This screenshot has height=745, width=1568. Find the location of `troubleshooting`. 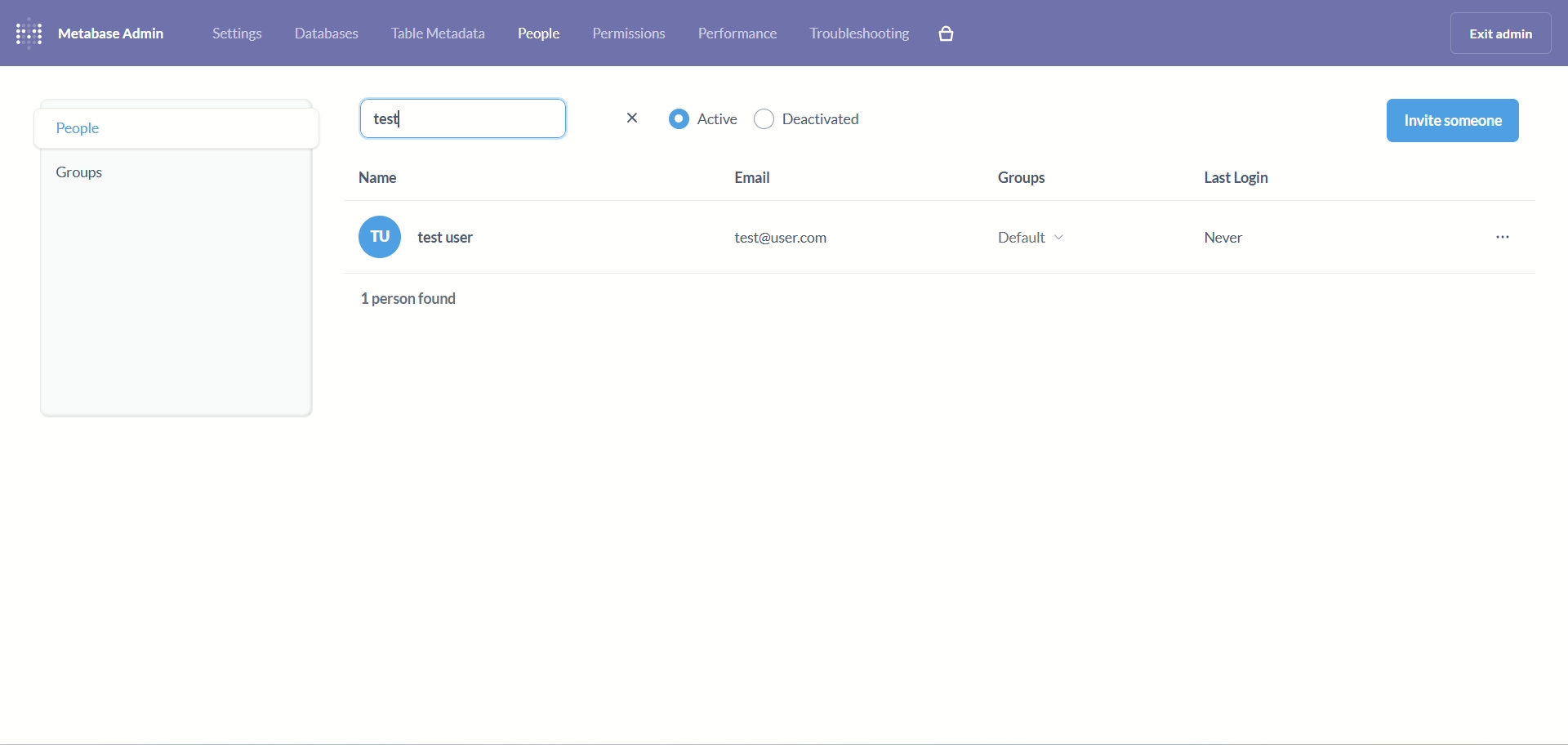

troubleshooting is located at coordinates (859, 31).